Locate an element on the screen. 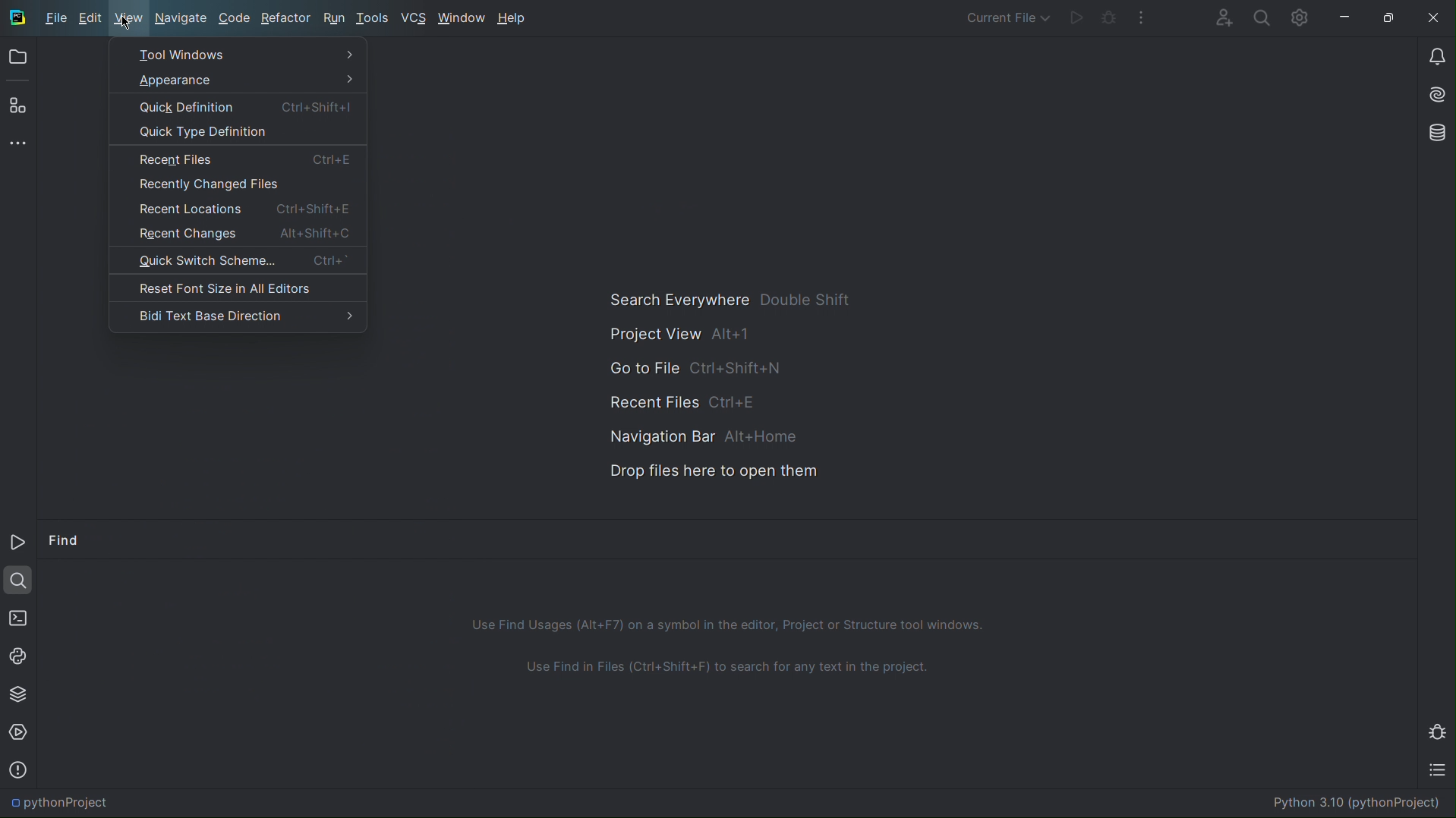 This screenshot has width=1456, height=818. Run is located at coordinates (19, 545).